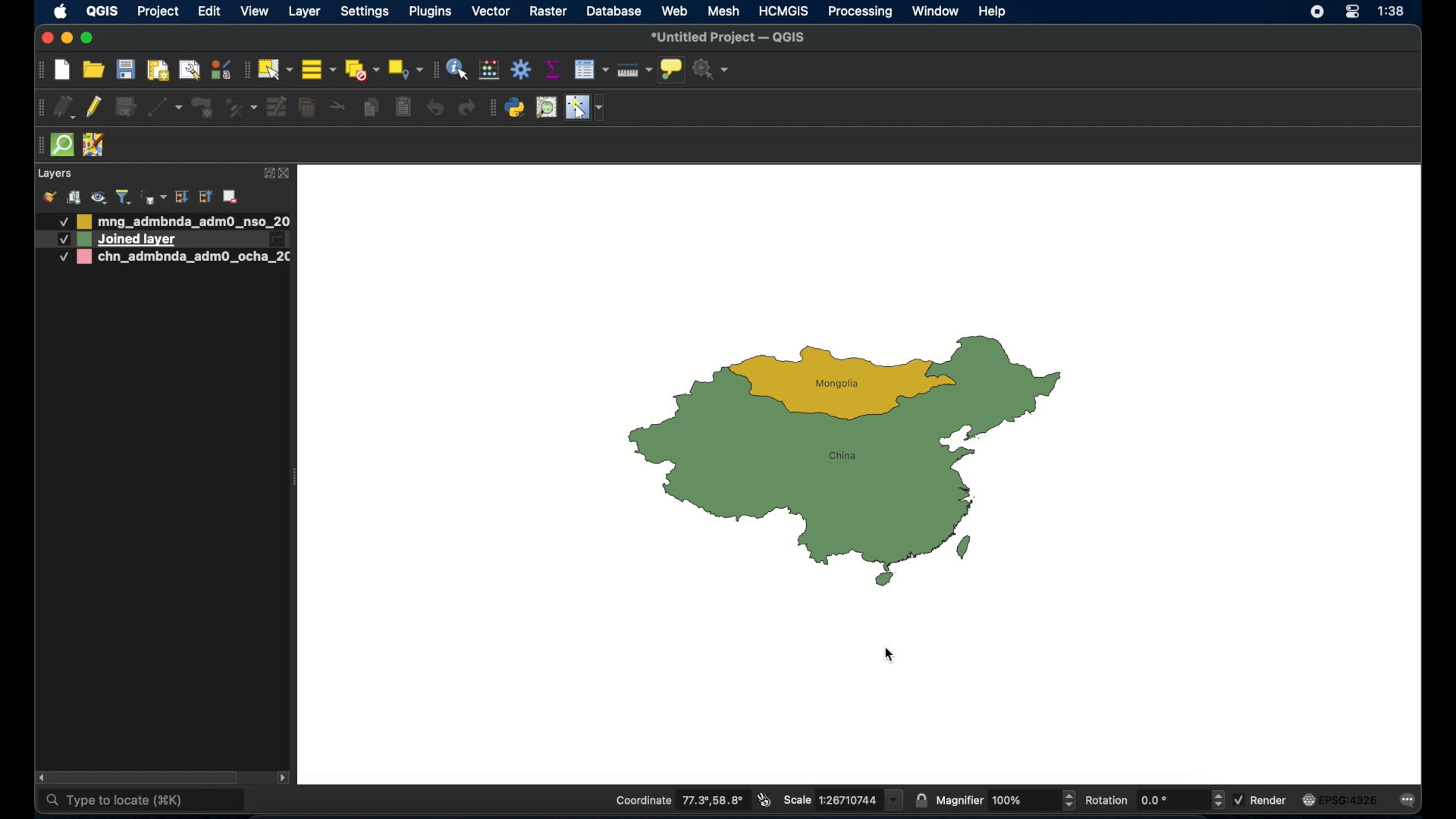 Image resolution: width=1456 pixels, height=819 pixels. I want to click on delete selected, so click(307, 108).